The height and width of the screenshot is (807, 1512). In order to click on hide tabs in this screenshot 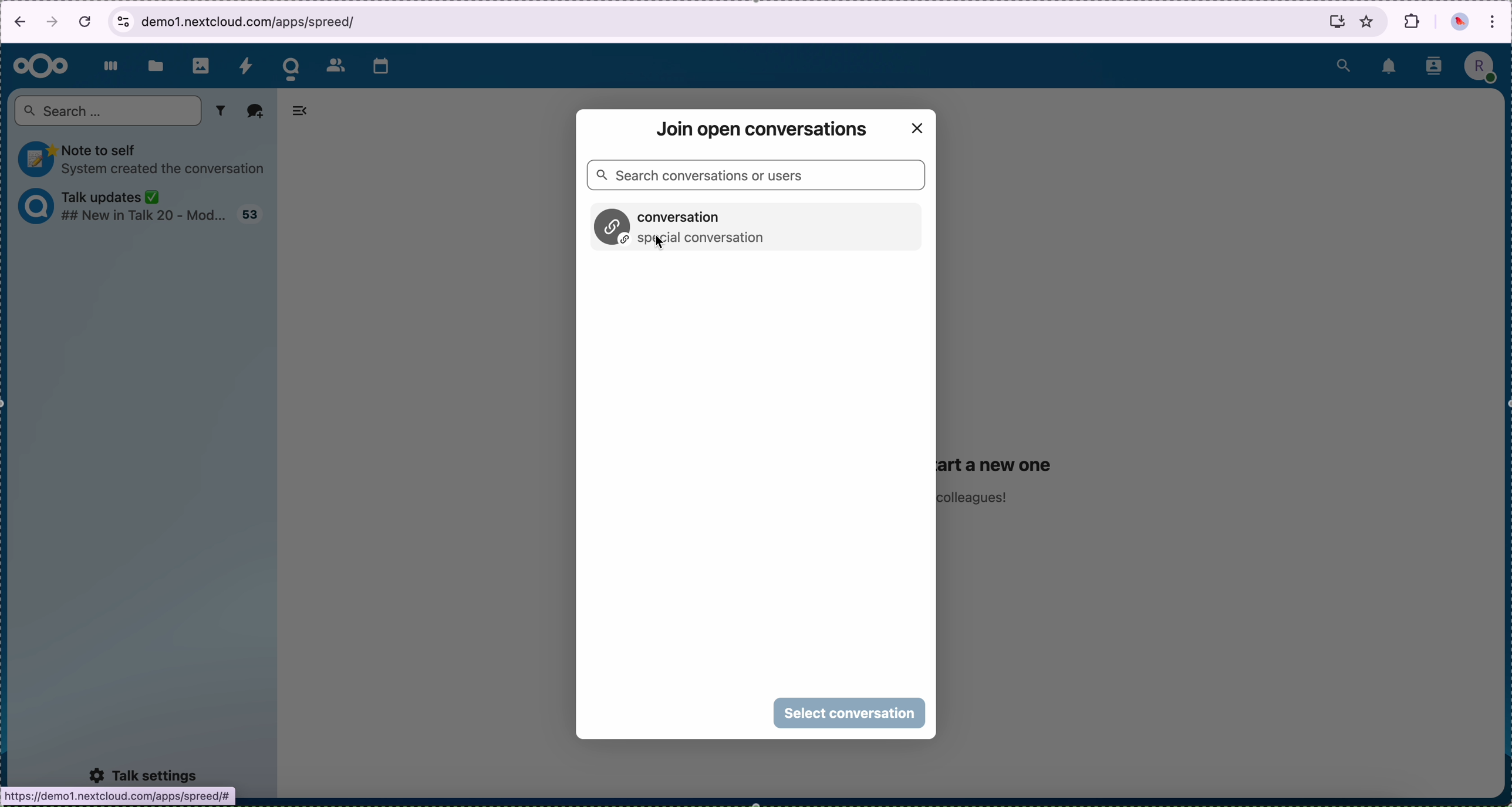, I will do `click(301, 112)`.